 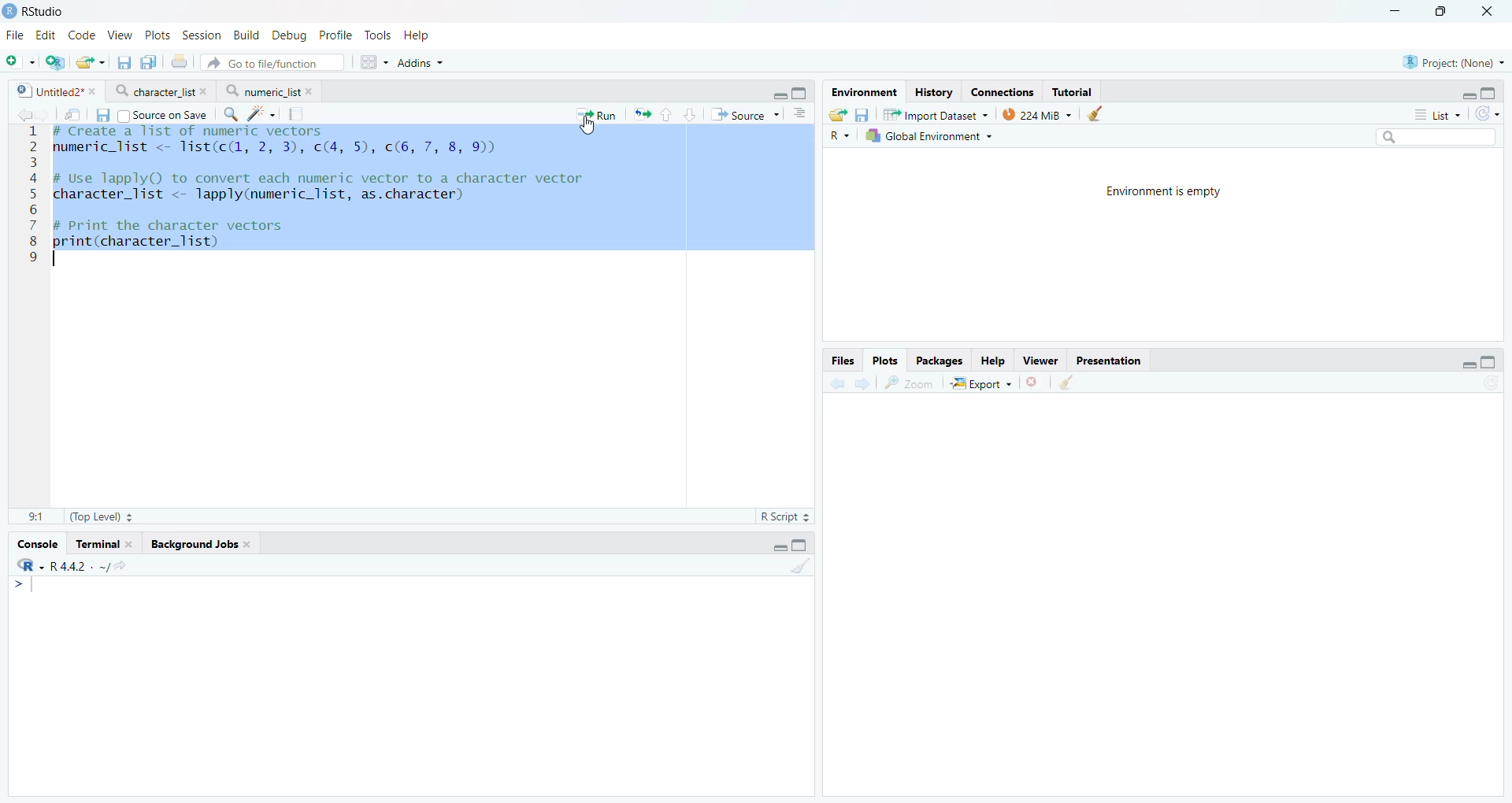 What do you see at coordinates (419, 36) in the screenshot?
I see `Help` at bounding box center [419, 36].